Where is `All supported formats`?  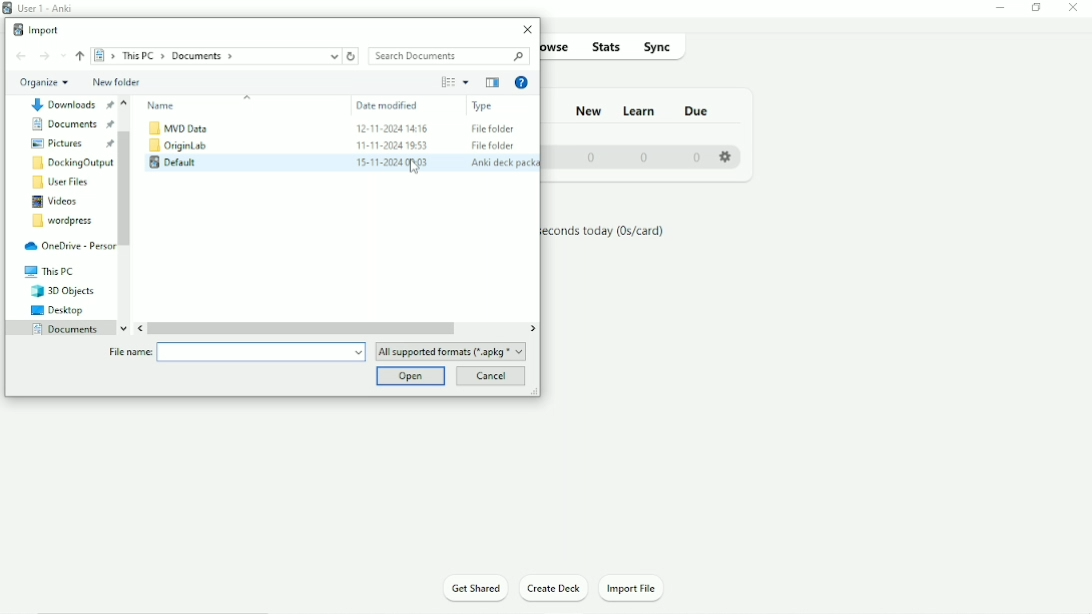
All supported formats is located at coordinates (450, 352).